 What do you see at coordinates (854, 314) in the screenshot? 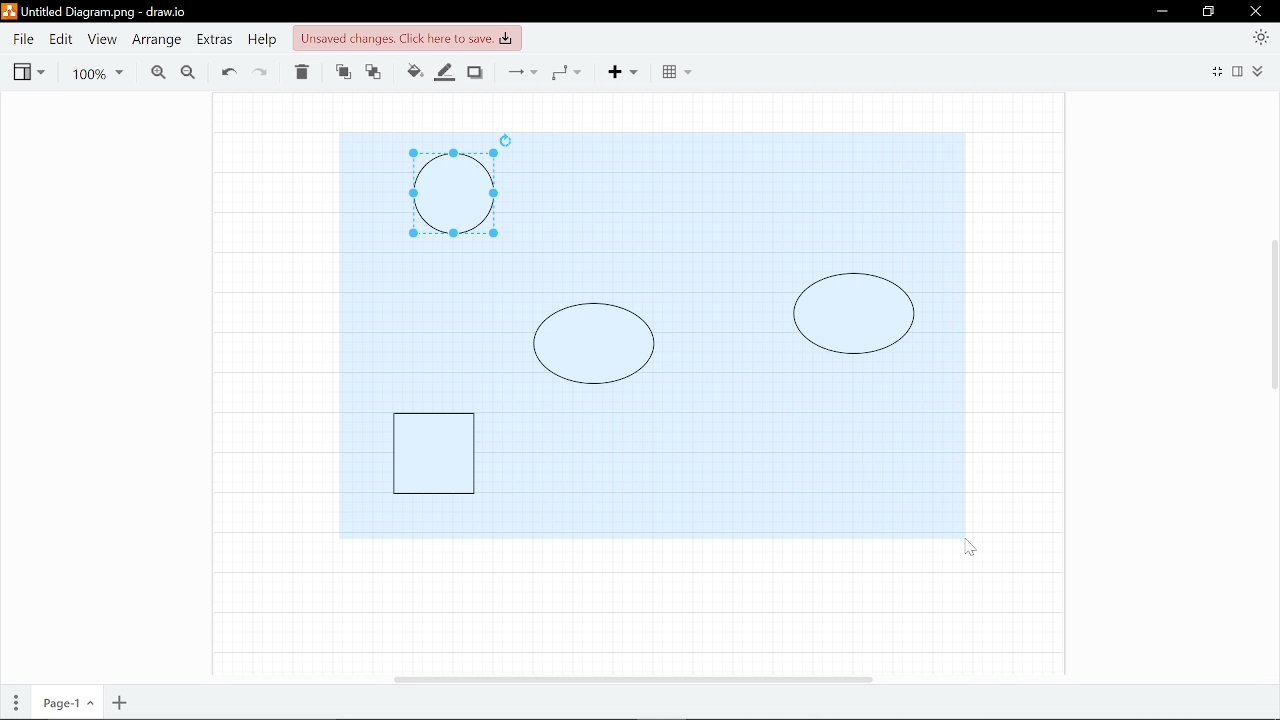
I see `Diagram` at bounding box center [854, 314].